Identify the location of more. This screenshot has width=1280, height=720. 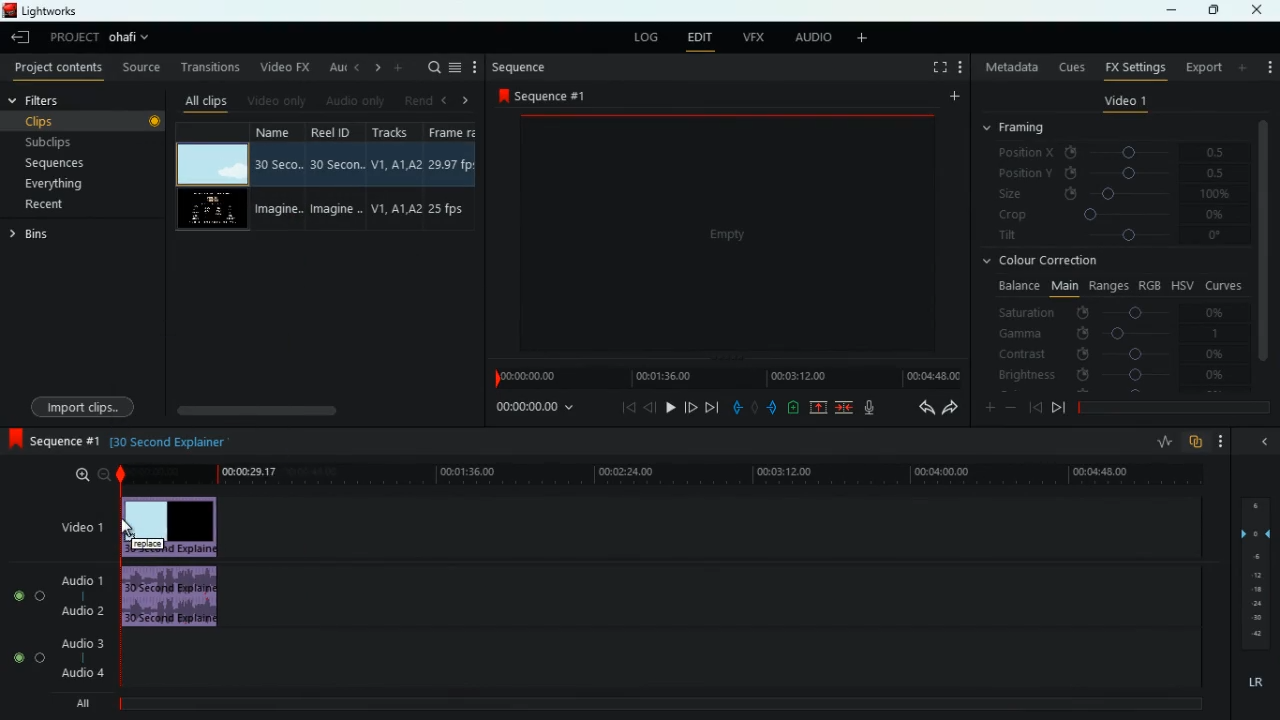
(1243, 67).